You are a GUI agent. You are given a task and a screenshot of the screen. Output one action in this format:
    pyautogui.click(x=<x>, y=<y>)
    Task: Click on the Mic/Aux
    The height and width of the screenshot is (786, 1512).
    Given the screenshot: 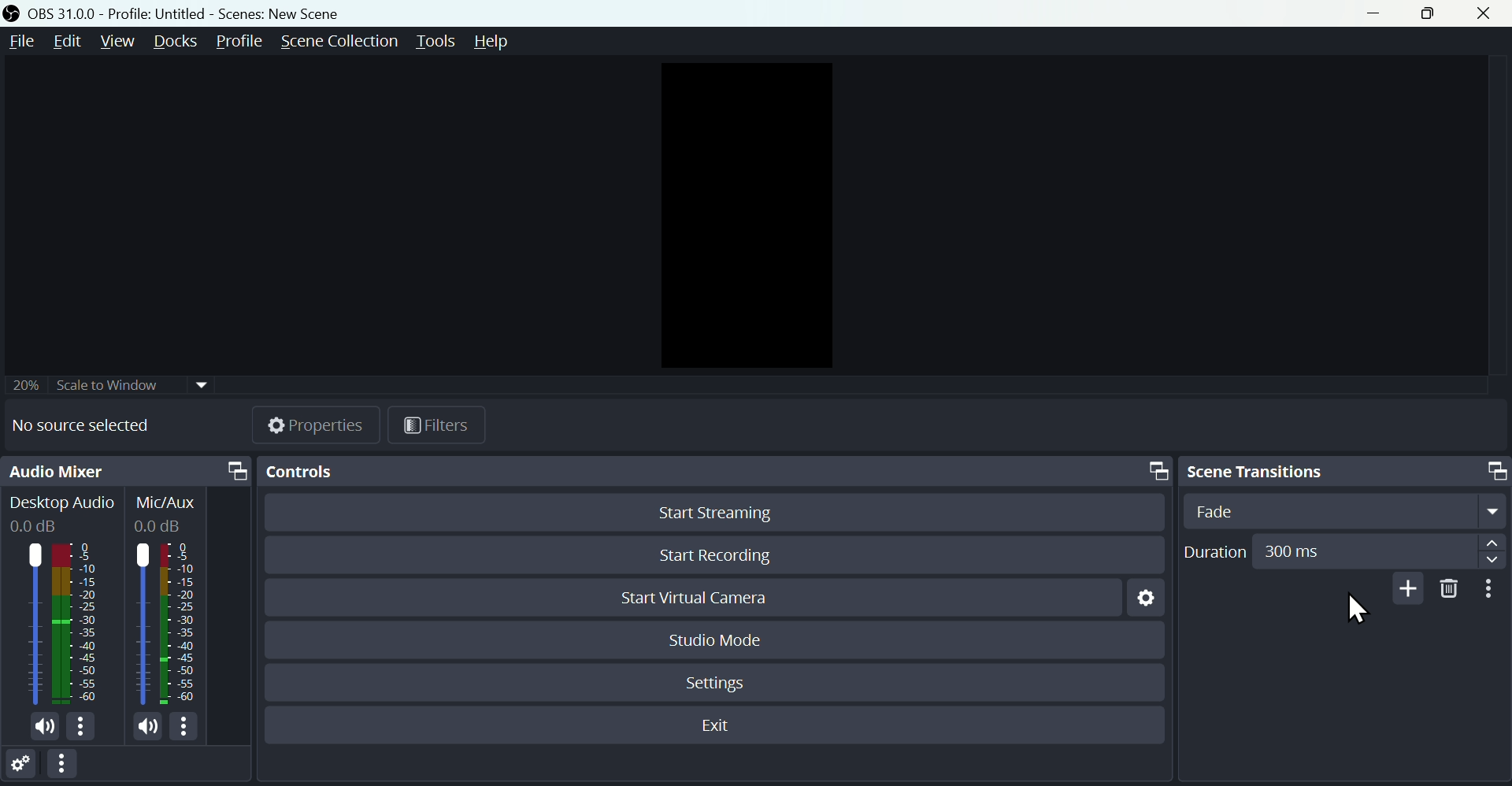 What is the action you would take?
    pyautogui.click(x=169, y=503)
    